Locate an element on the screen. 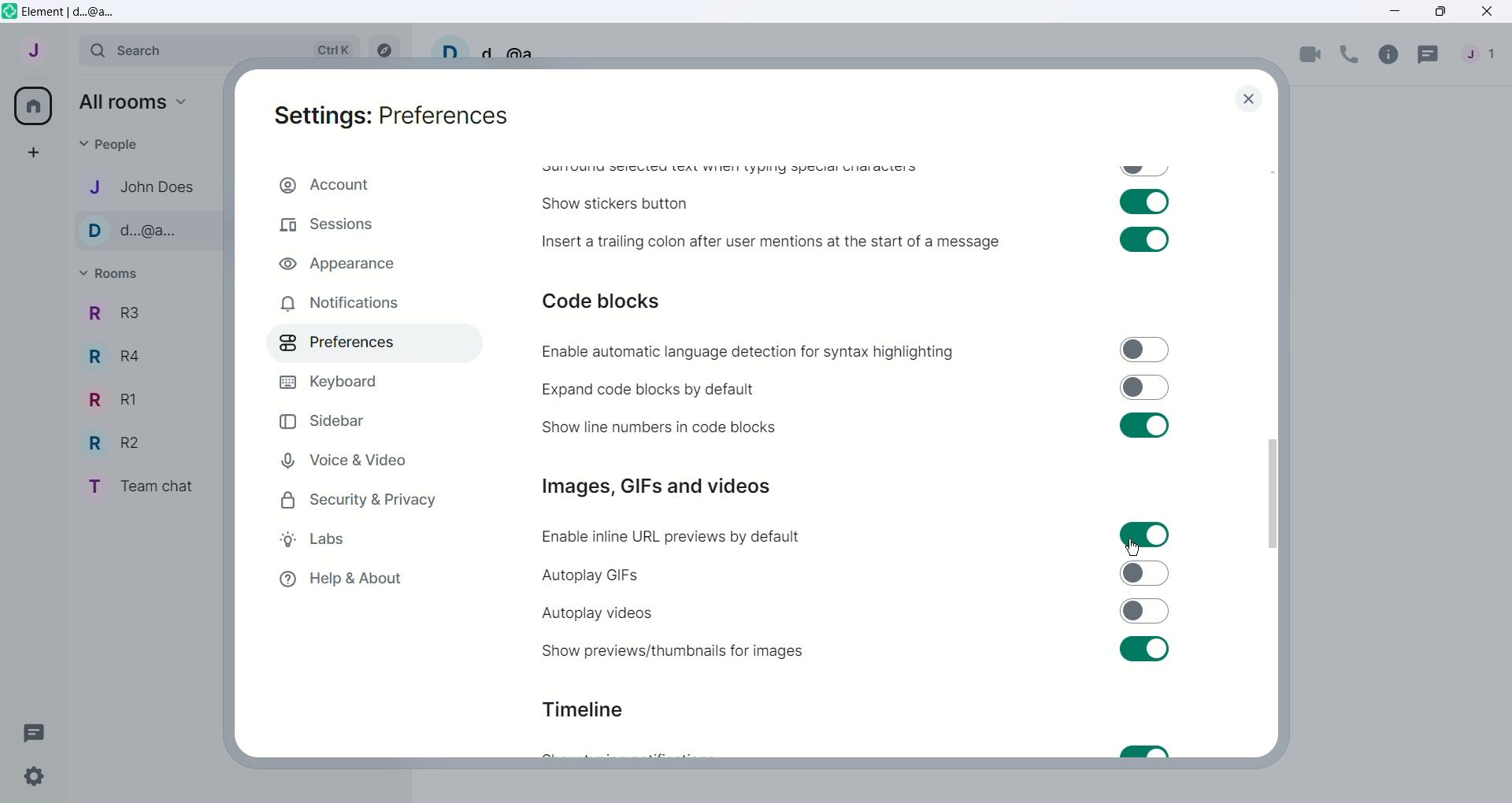  Sidebar is located at coordinates (349, 420).